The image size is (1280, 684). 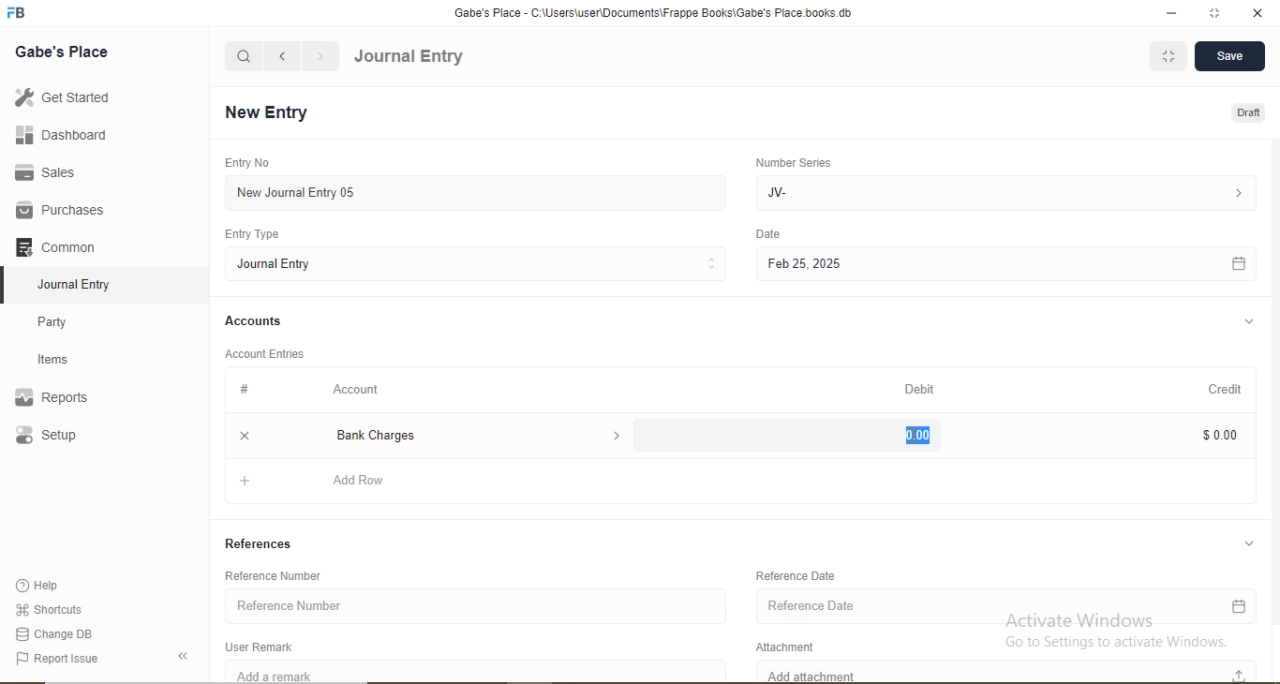 I want to click on Feb 25, 2025, so click(x=1005, y=265).